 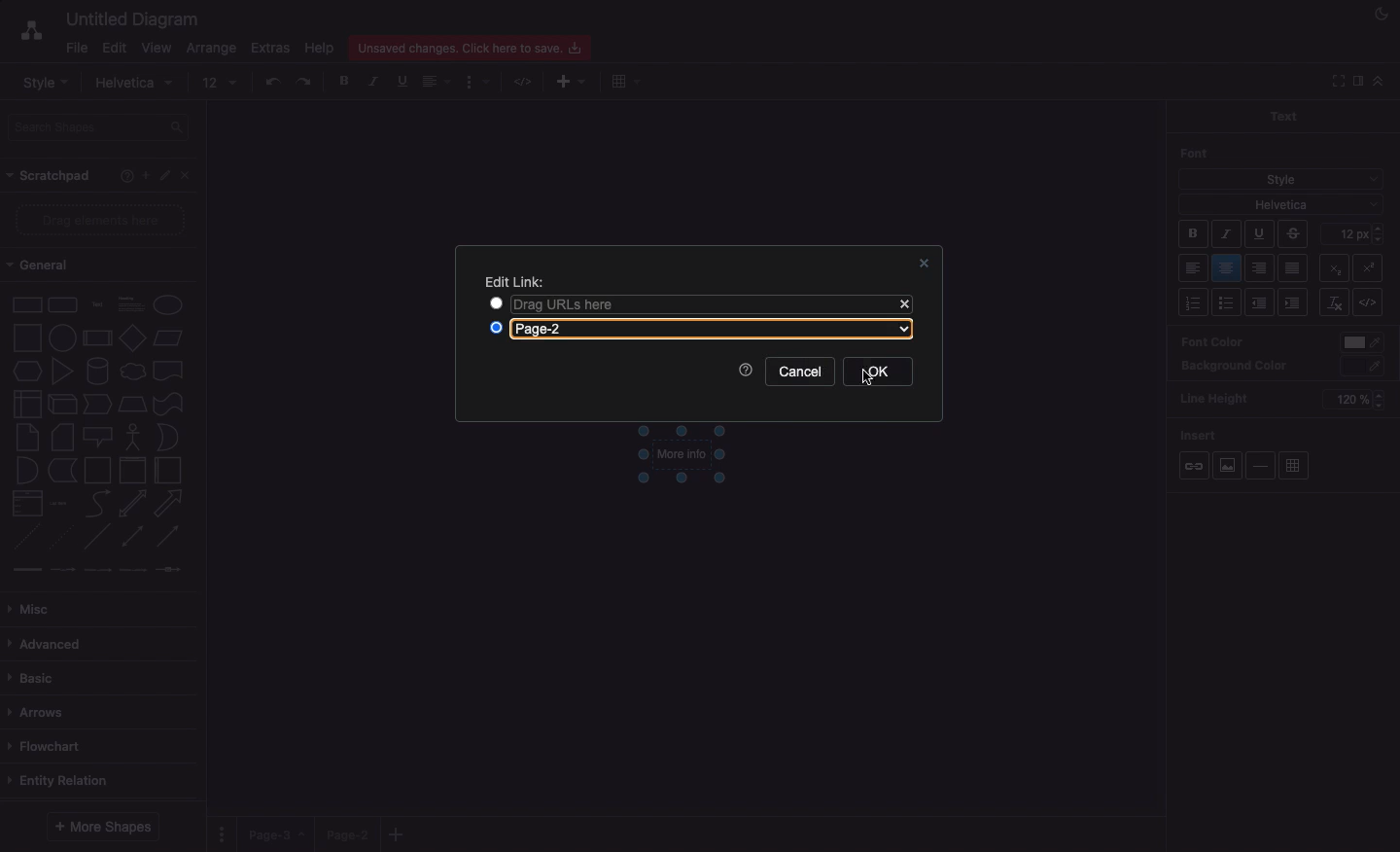 What do you see at coordinates (438, 84) in the screenshot?
I see `Align` at bounding box center [438, 84].